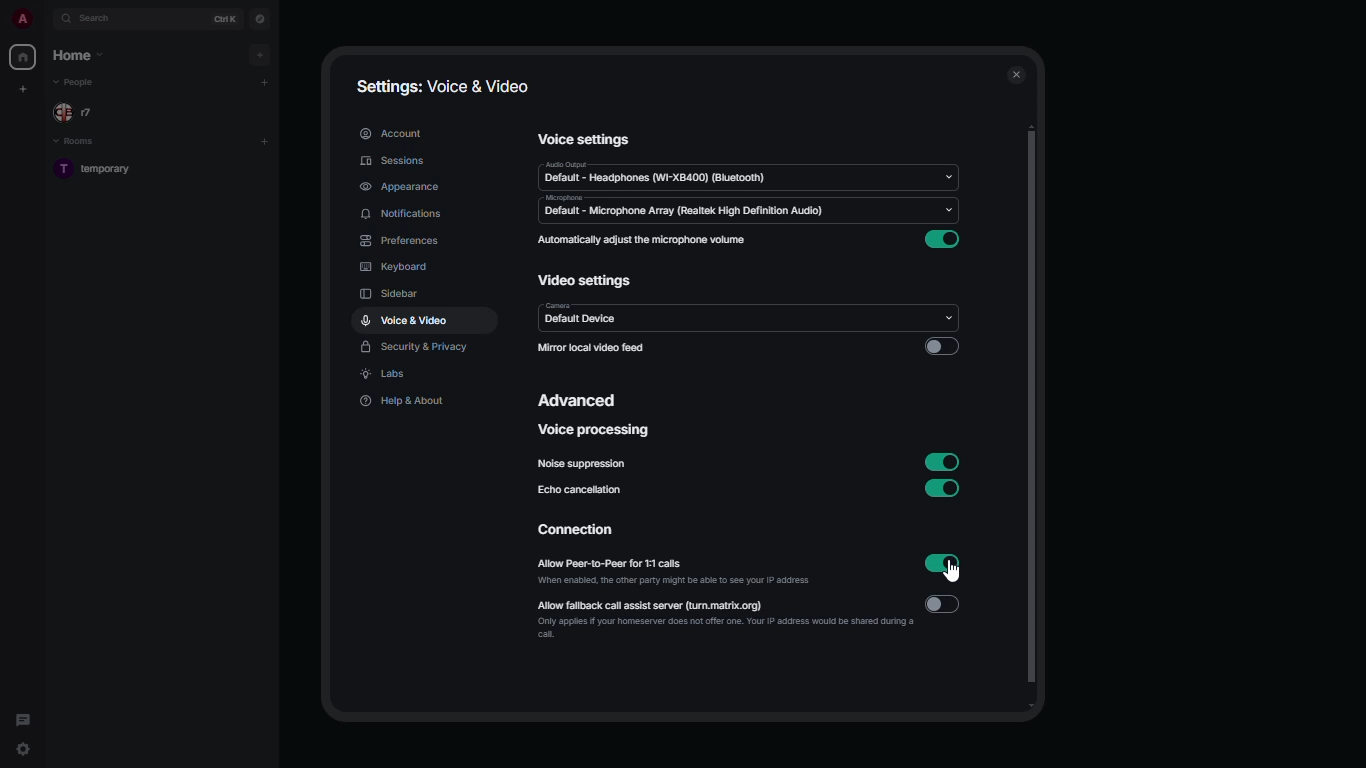 The height and width of the screenshot is (768, 1366). Describe the element at coordinates (80, 140) in the screenshot. I see `rooms` at that location.